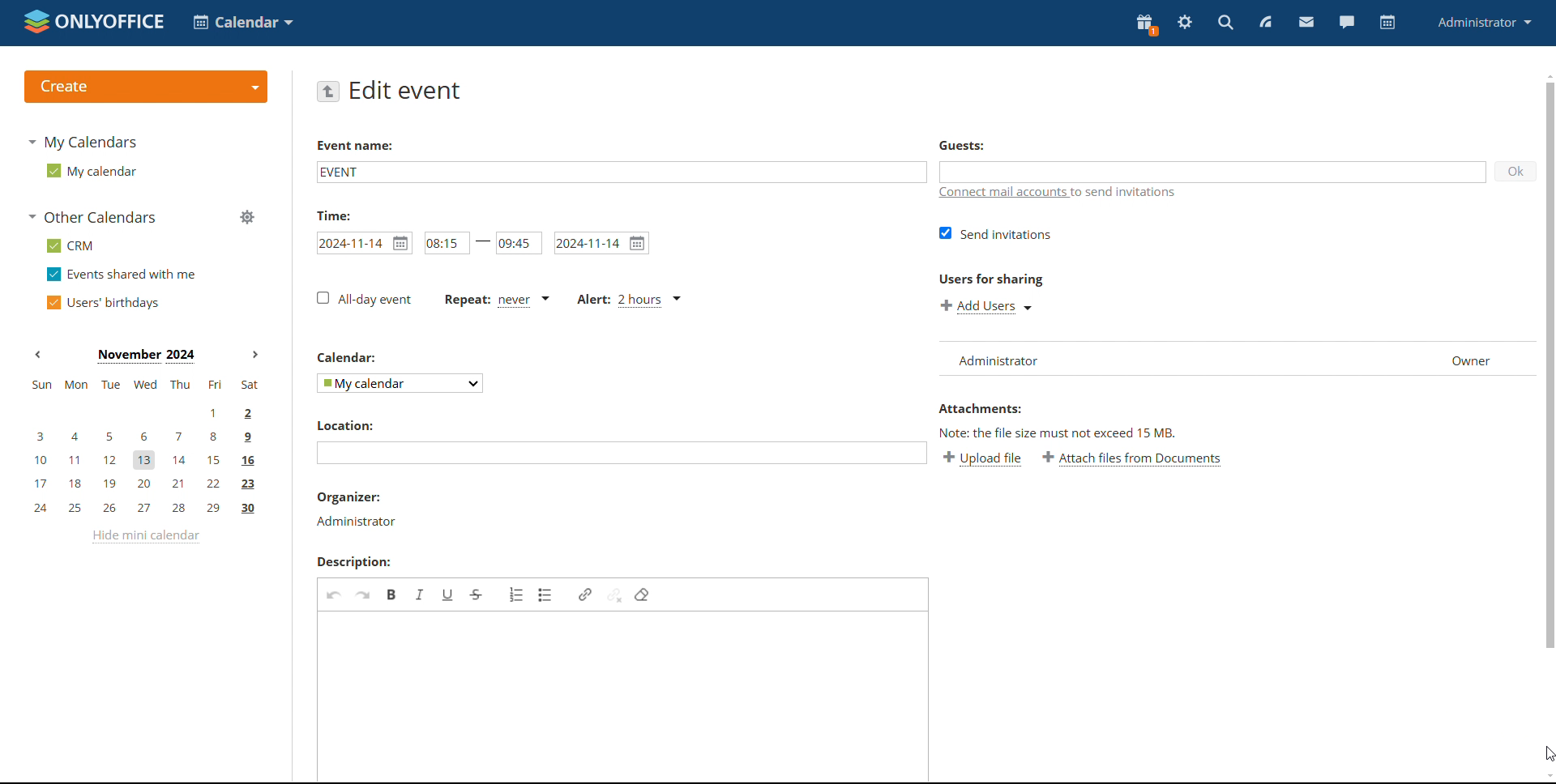  Describe the element at coordinates (143, 536) in the screenshot. I see `hide mini calendar` at that location.